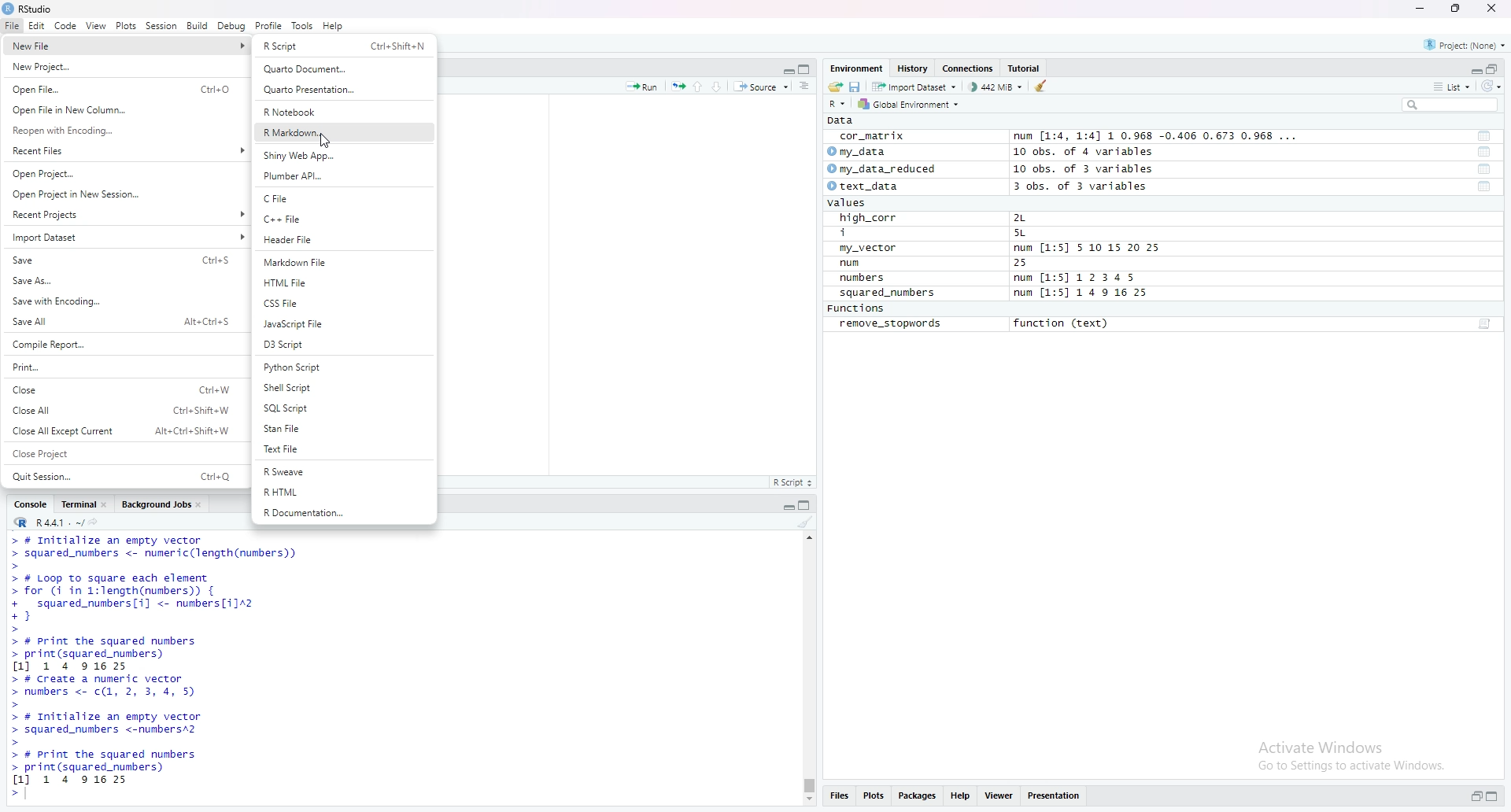  I want to click on Import Dataset, so click(124, 236).